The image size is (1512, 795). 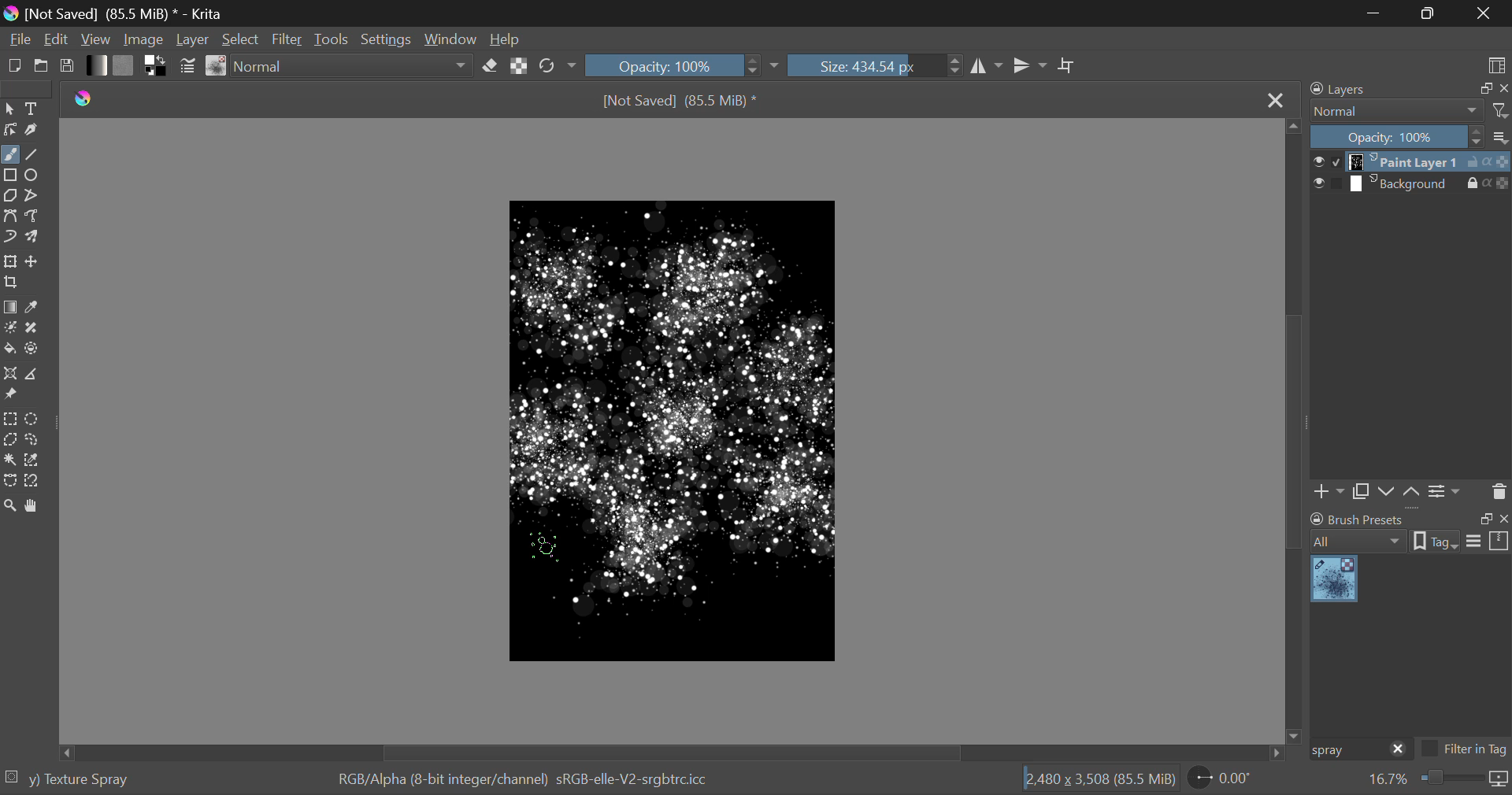 I want to click on Filter in Tag, so click(x=1465, y=751).